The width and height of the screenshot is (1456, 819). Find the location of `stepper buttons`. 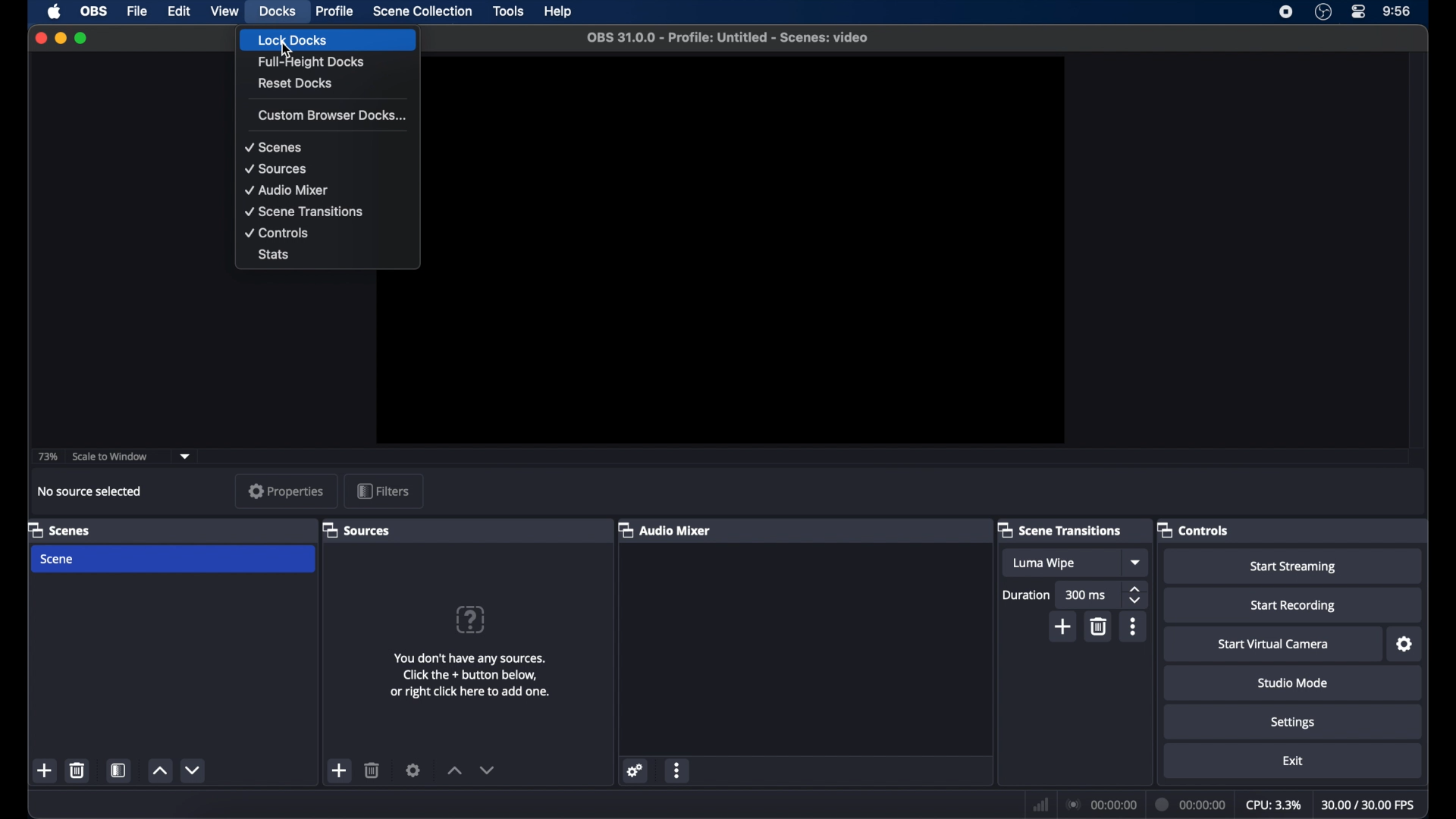

stepper buttons is located at coordinates (1134, 595).